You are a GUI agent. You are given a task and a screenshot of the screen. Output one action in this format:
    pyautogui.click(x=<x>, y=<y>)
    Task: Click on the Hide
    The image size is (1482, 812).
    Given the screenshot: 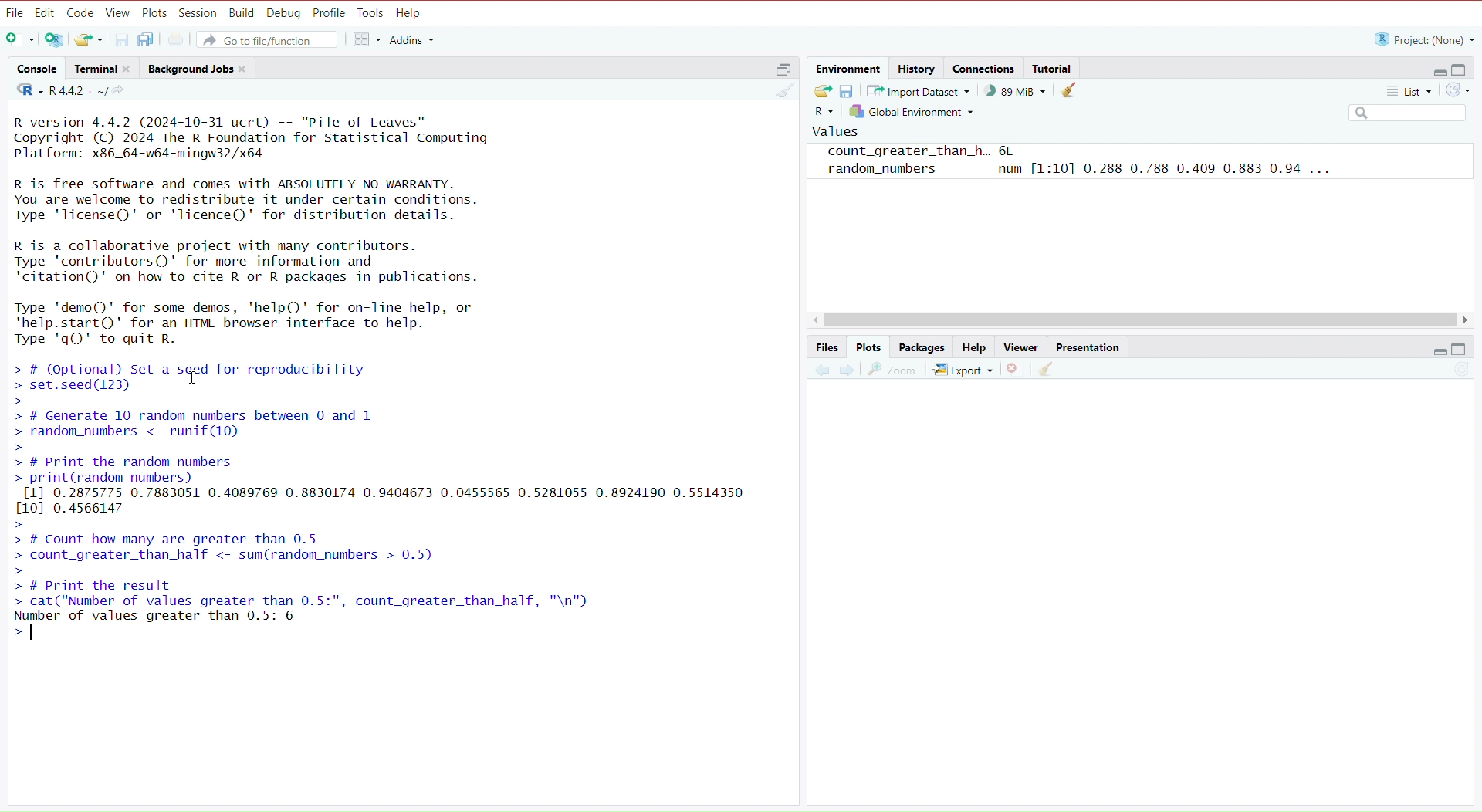 What is the action you would take?
    pyautogui.click(x=1439, y=70)
    